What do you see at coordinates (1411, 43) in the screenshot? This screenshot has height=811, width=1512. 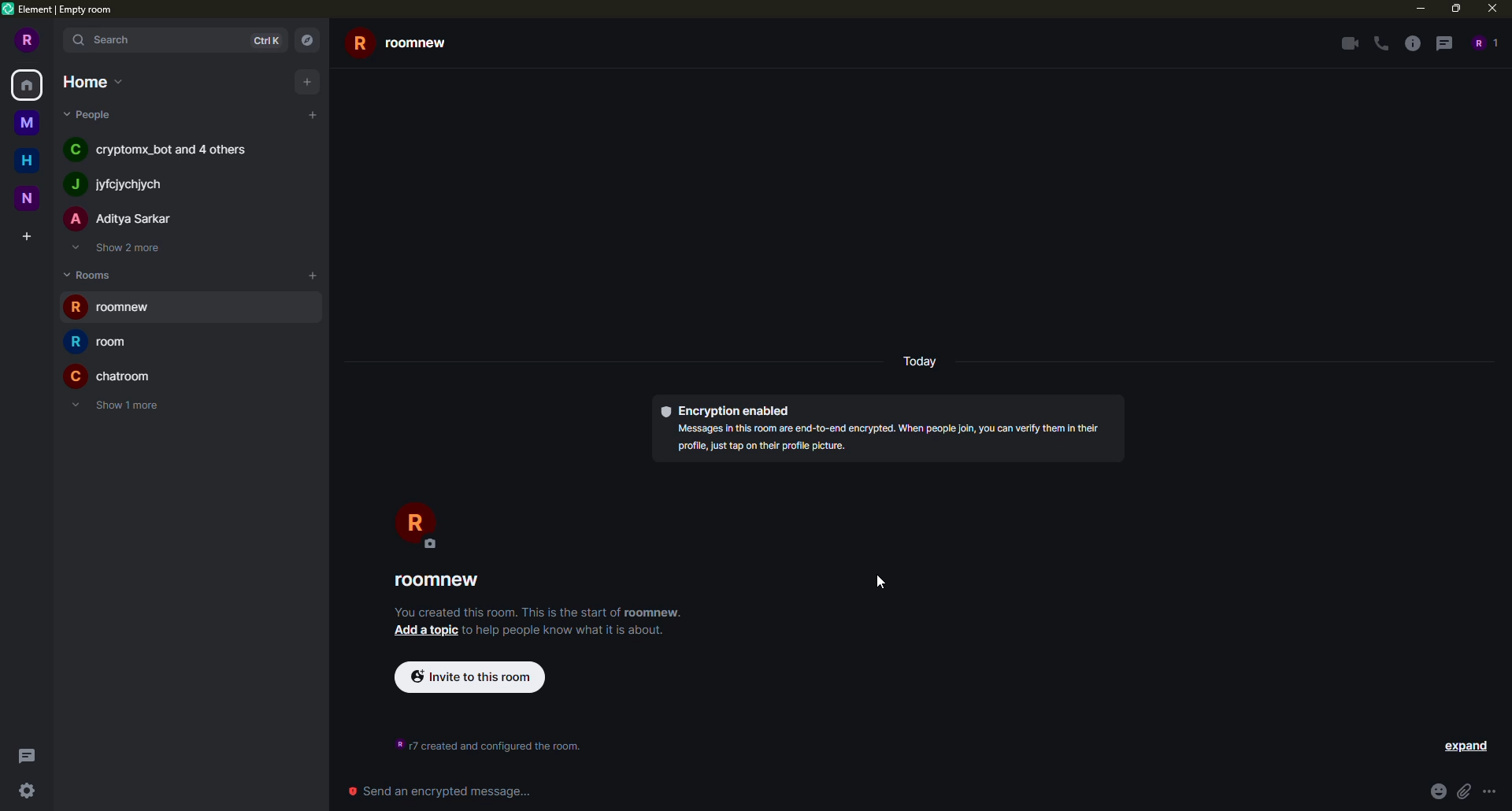 I see `info` at bounding box center [1411, 43].